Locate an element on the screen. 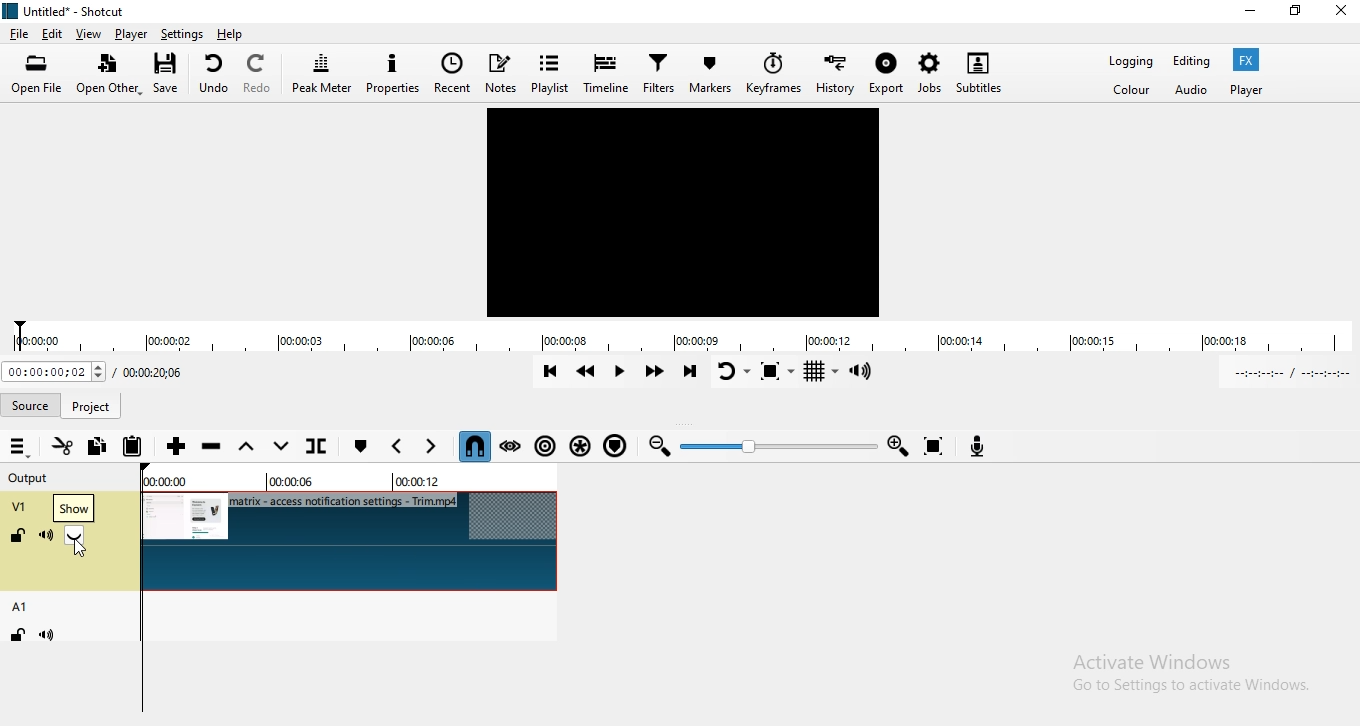  Mute is located at coordinates (55, 637).